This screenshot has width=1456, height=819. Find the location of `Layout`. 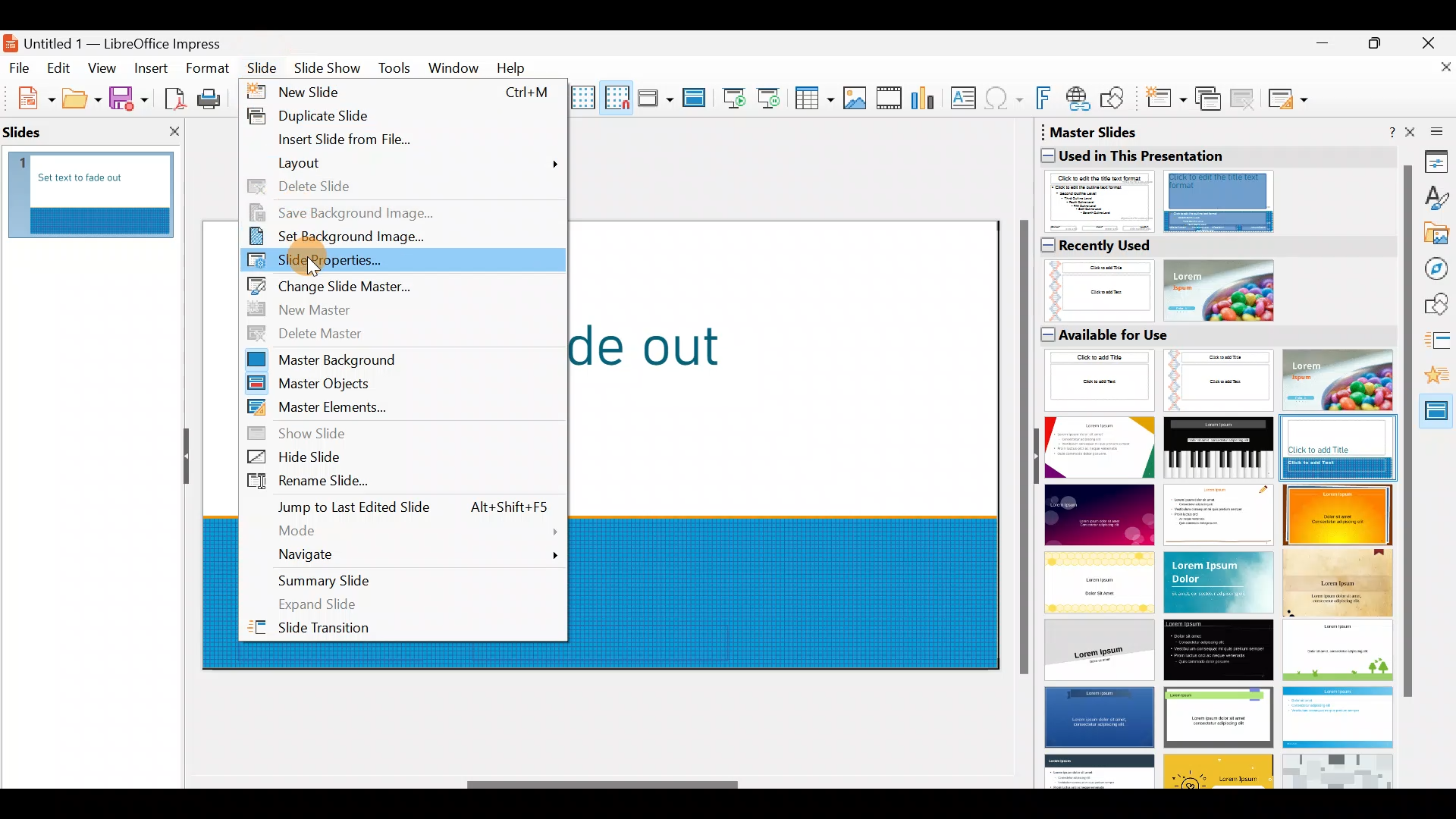

Layout is located at coordinates (397, 166).